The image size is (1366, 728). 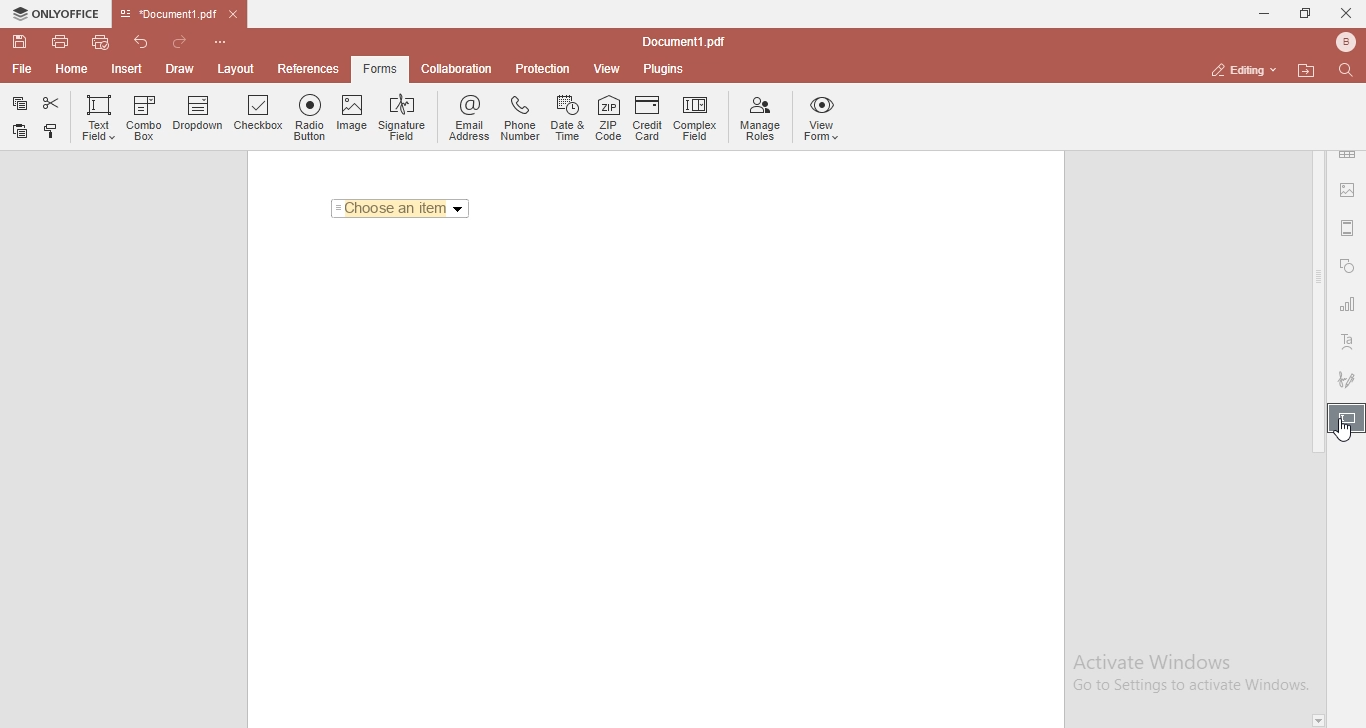 What do you see at coordinates (53, 103) in the screenshot?
I see `cut` at bounding box center [53, 103].